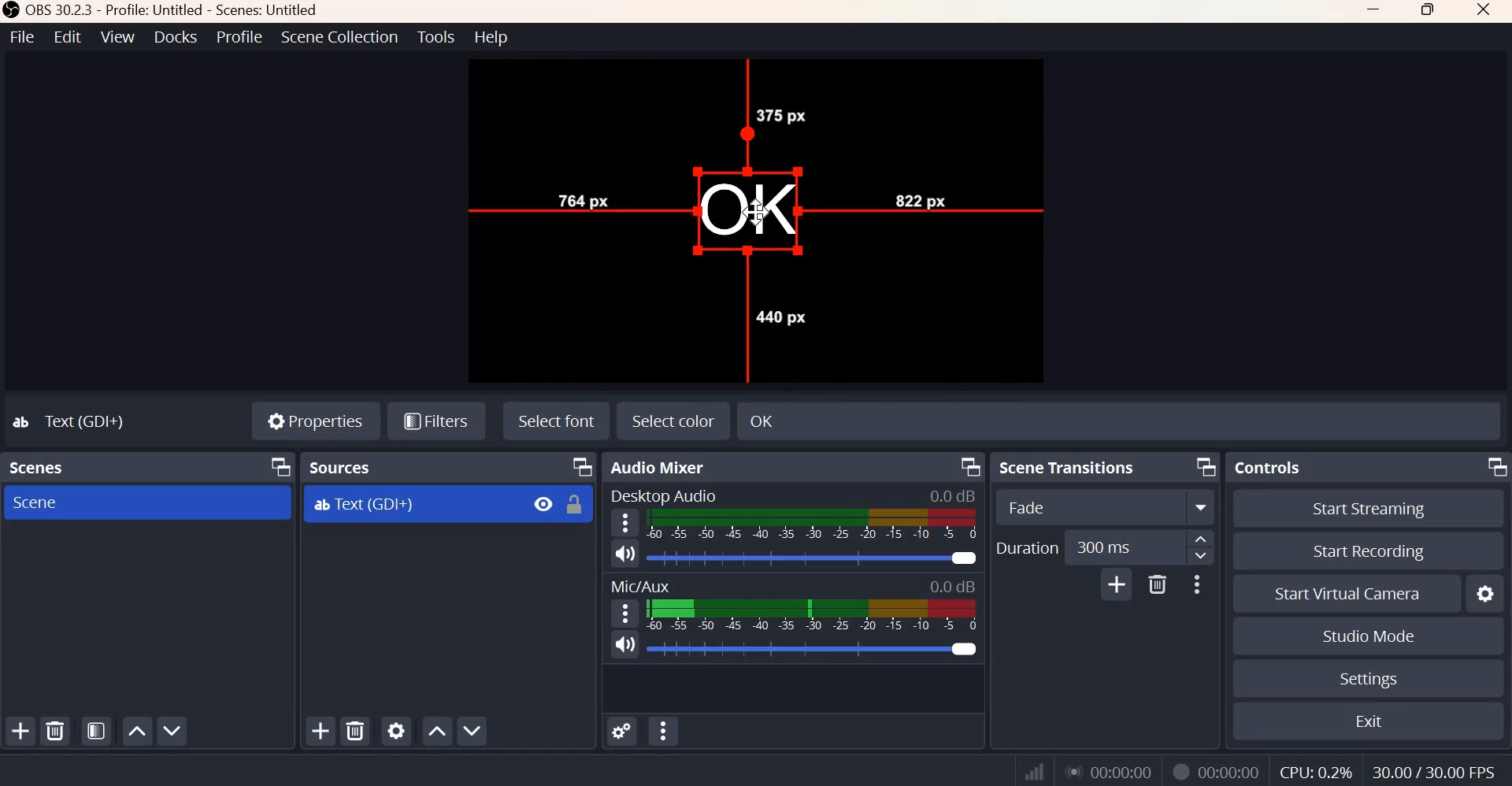 The image size is (1512, 786). I want to click on Exit, so click(1370, 720).